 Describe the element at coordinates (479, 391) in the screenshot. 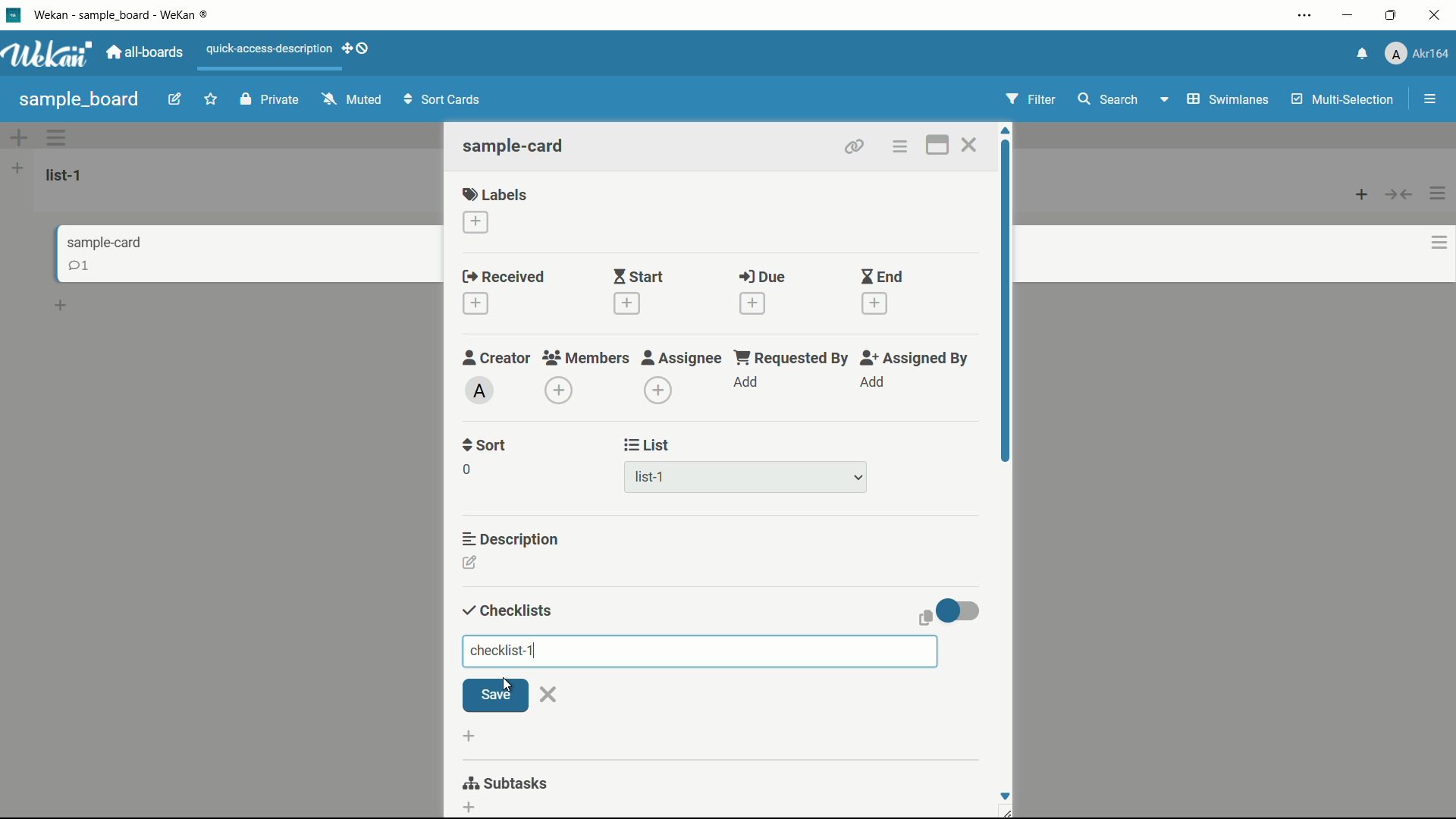

I see `admin` at that location.